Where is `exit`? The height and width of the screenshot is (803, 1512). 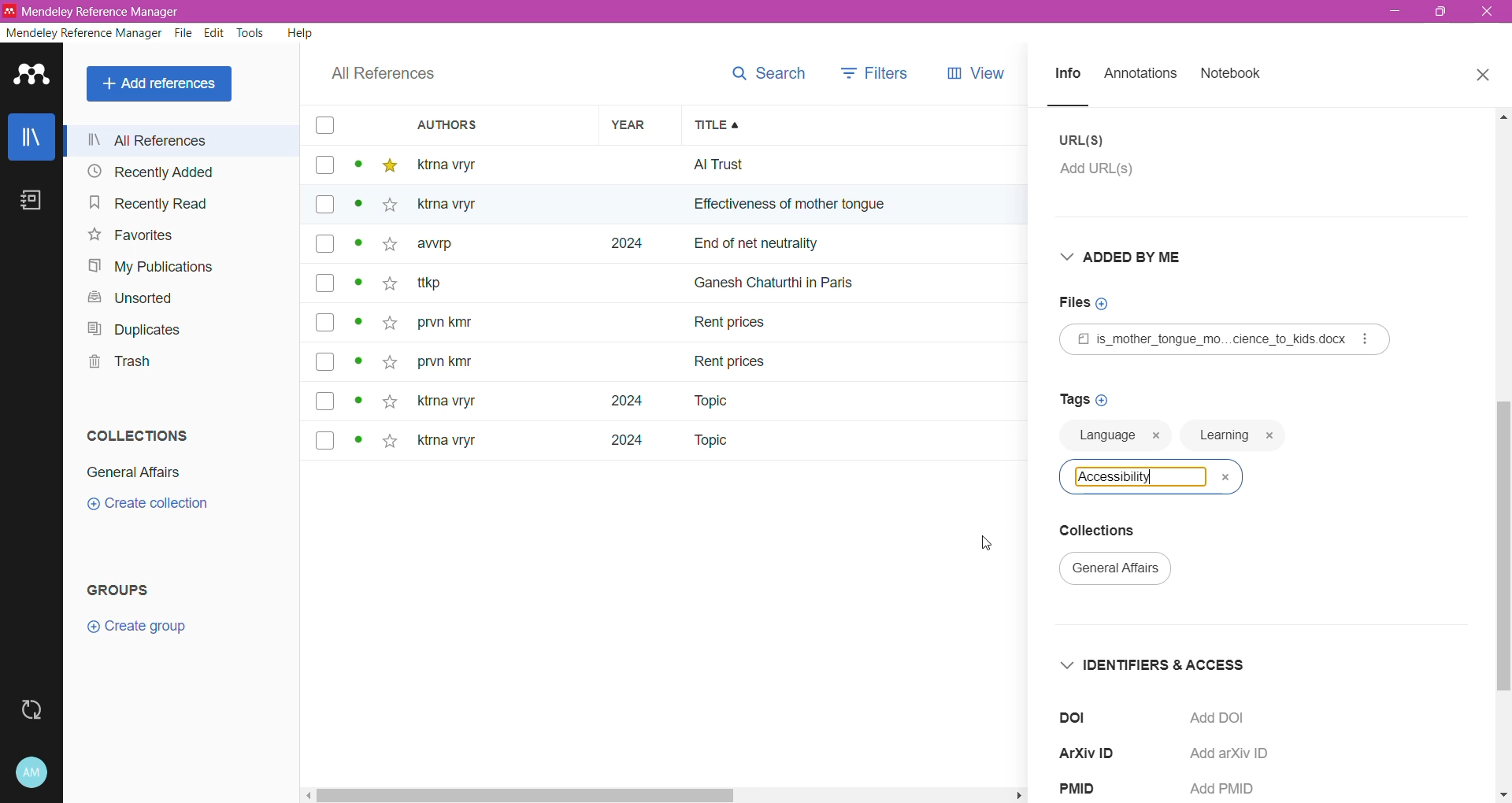
exit is located at coordinates (1490, 16).